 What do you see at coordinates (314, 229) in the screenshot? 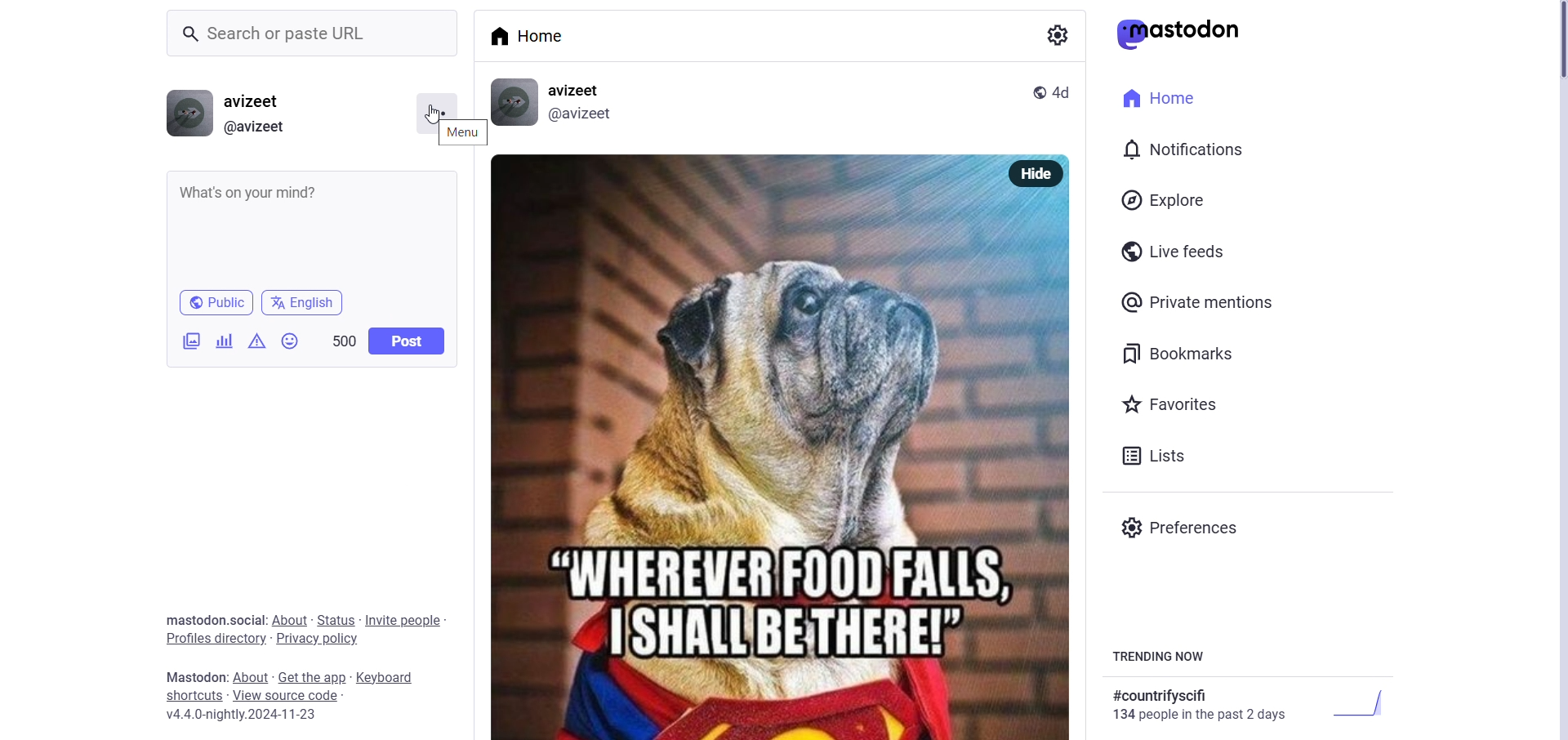
I see `writing area` at bounding box center [314, 229].